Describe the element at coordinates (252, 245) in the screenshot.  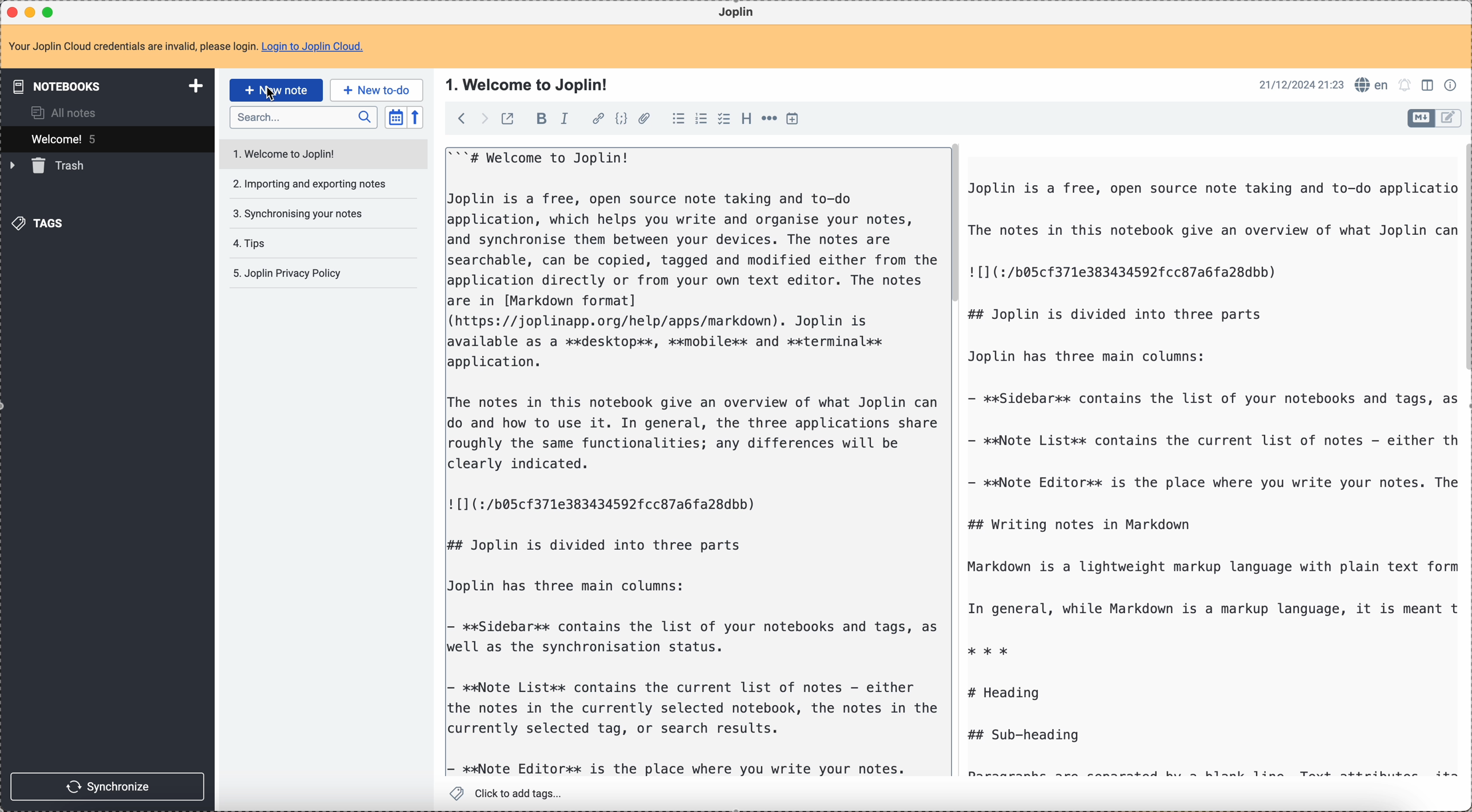
I see `tips` at that location.